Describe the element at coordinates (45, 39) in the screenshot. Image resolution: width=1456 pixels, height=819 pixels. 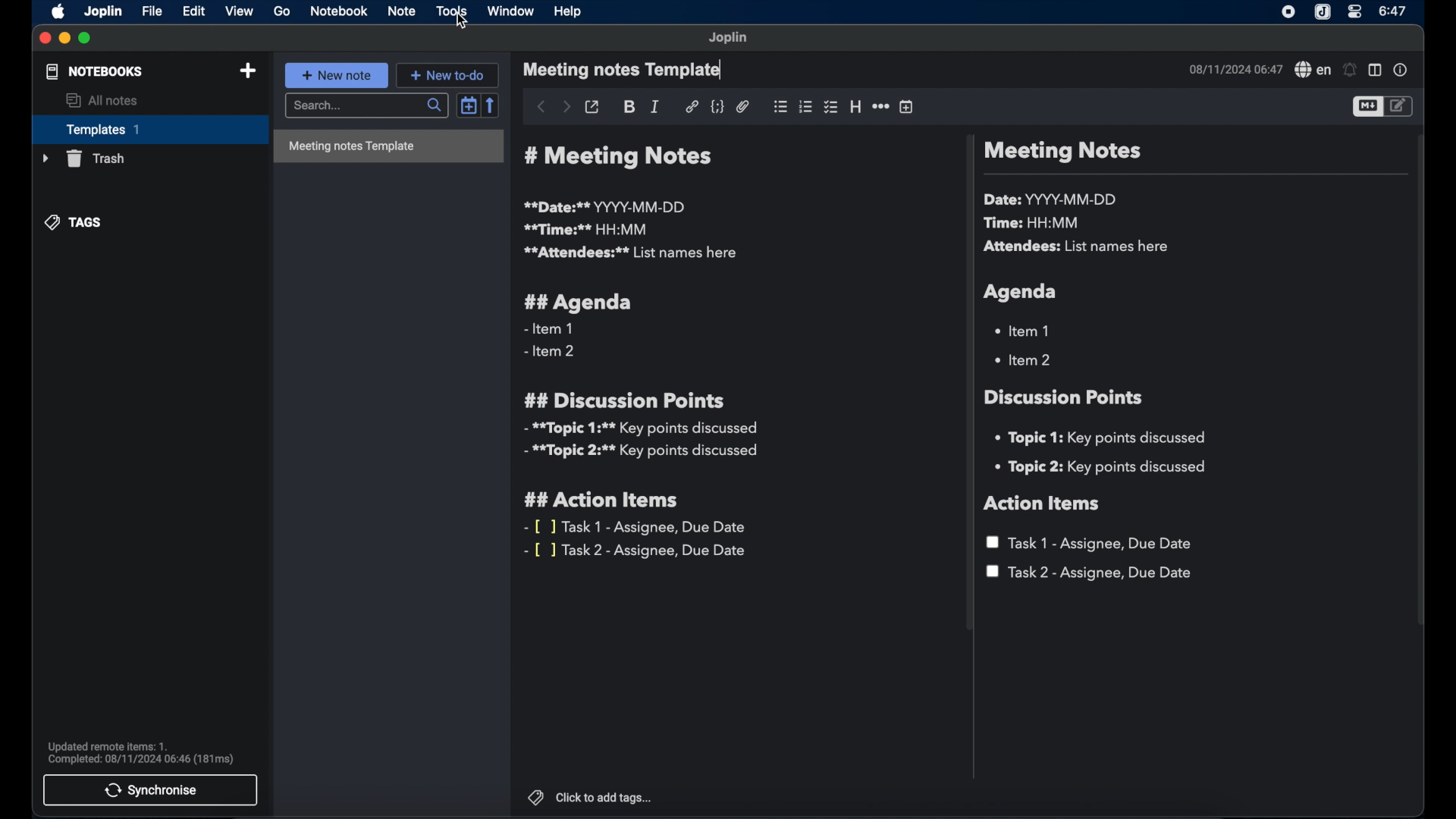
I see `close` at that location.